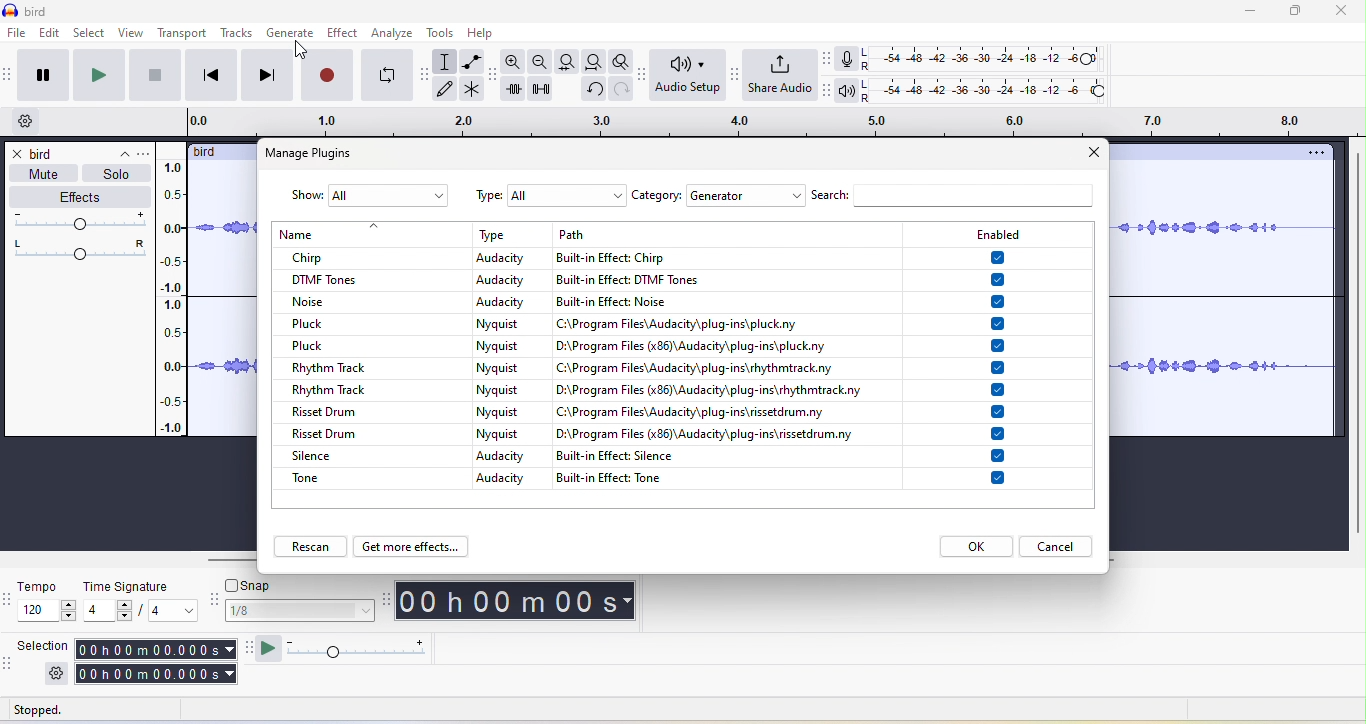  I want to click on category, so click(657, 195).